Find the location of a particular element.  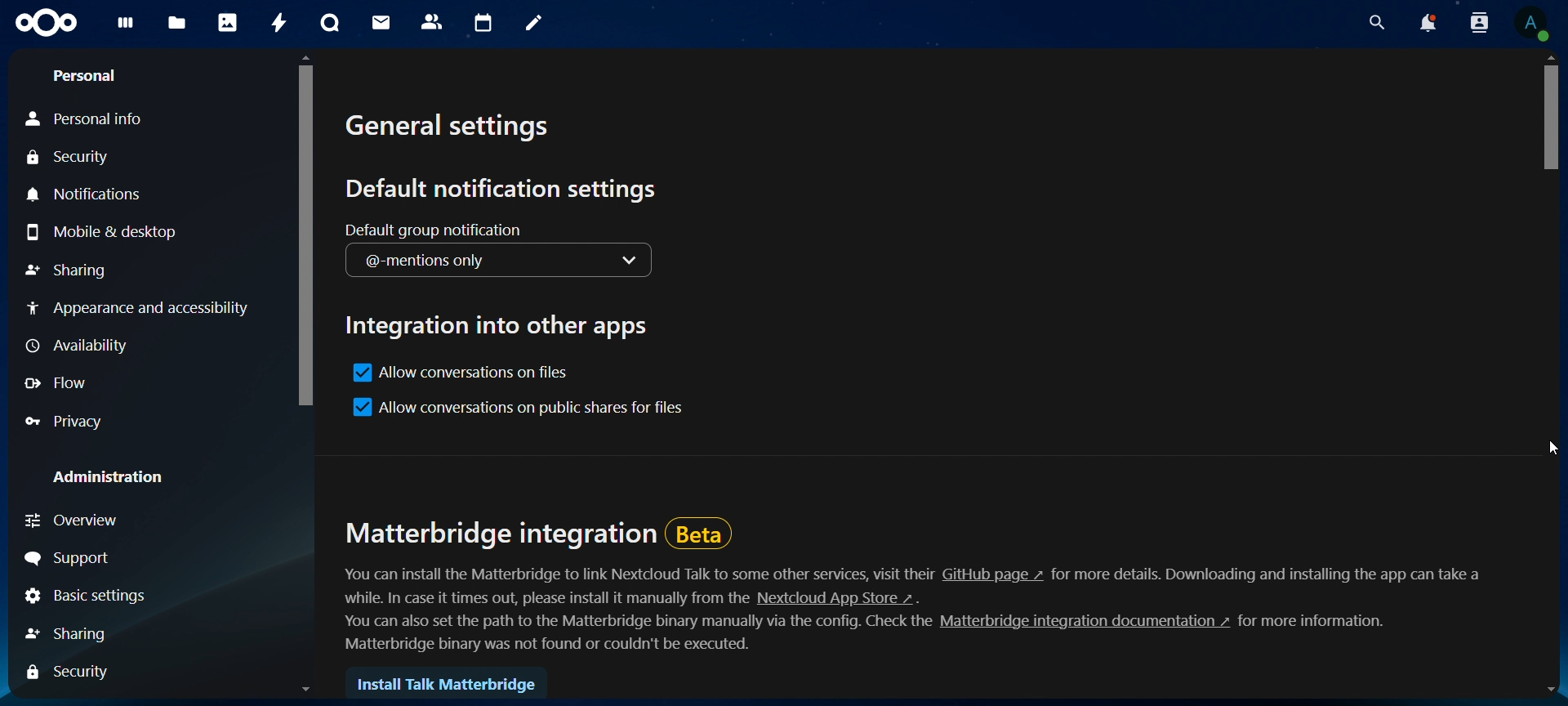

Administration is located at coordinates (97, 480).